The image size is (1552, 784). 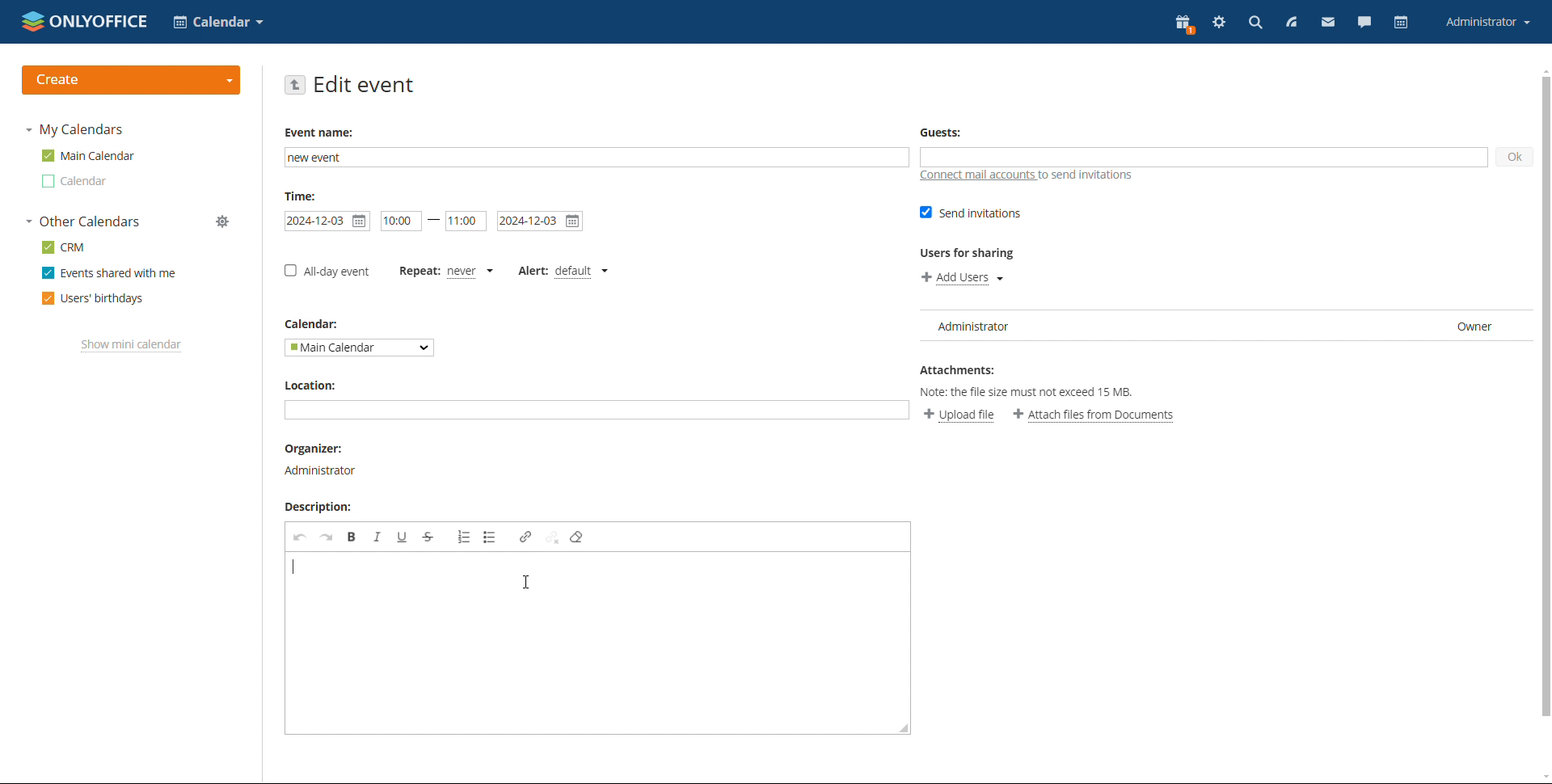 What do you see at coordinates (940, 130) in the screenshot?
I see `Guests:` at bounding box center [940, 130].